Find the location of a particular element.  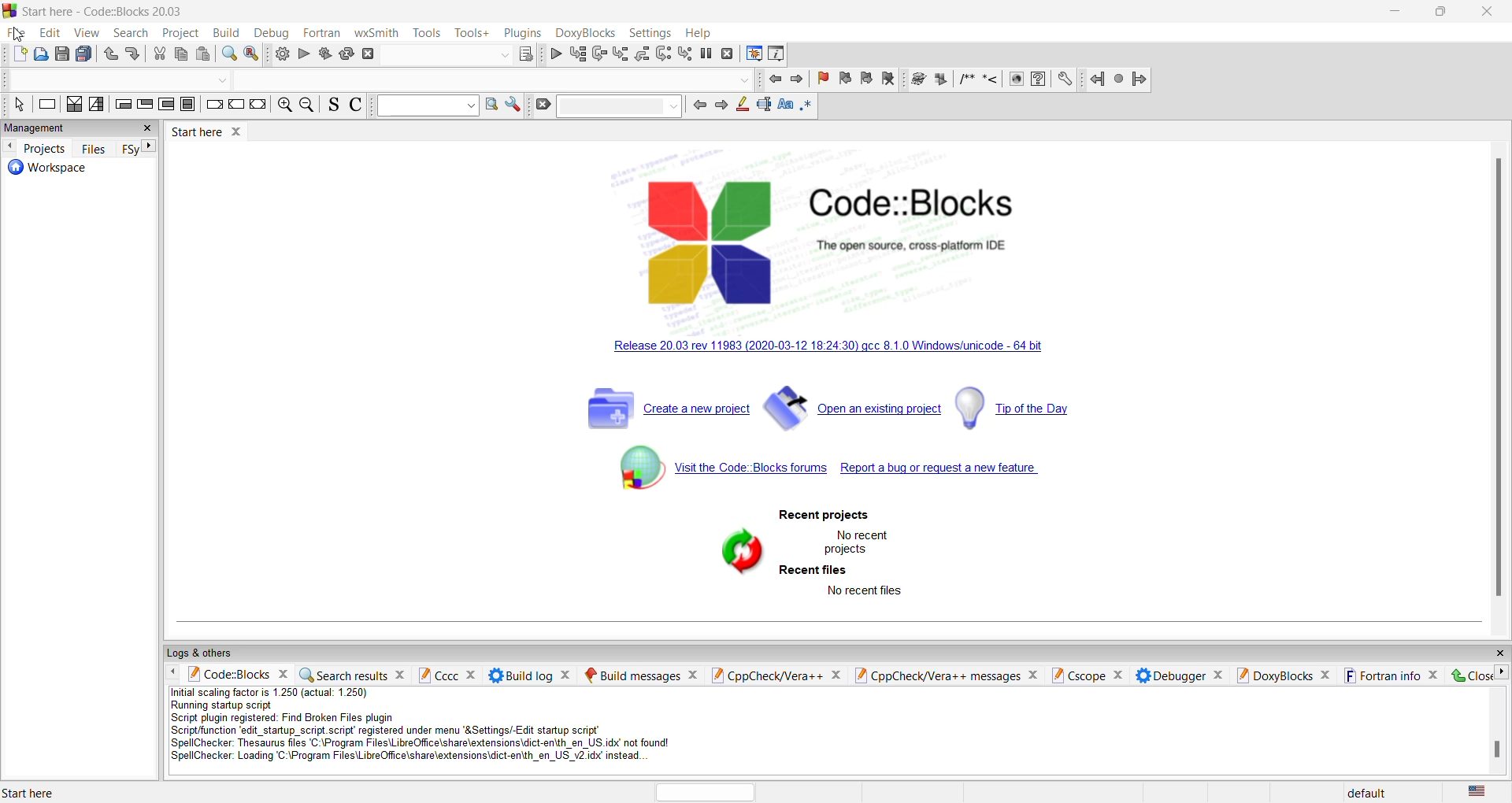

new release is located at coordinates (823, 349).